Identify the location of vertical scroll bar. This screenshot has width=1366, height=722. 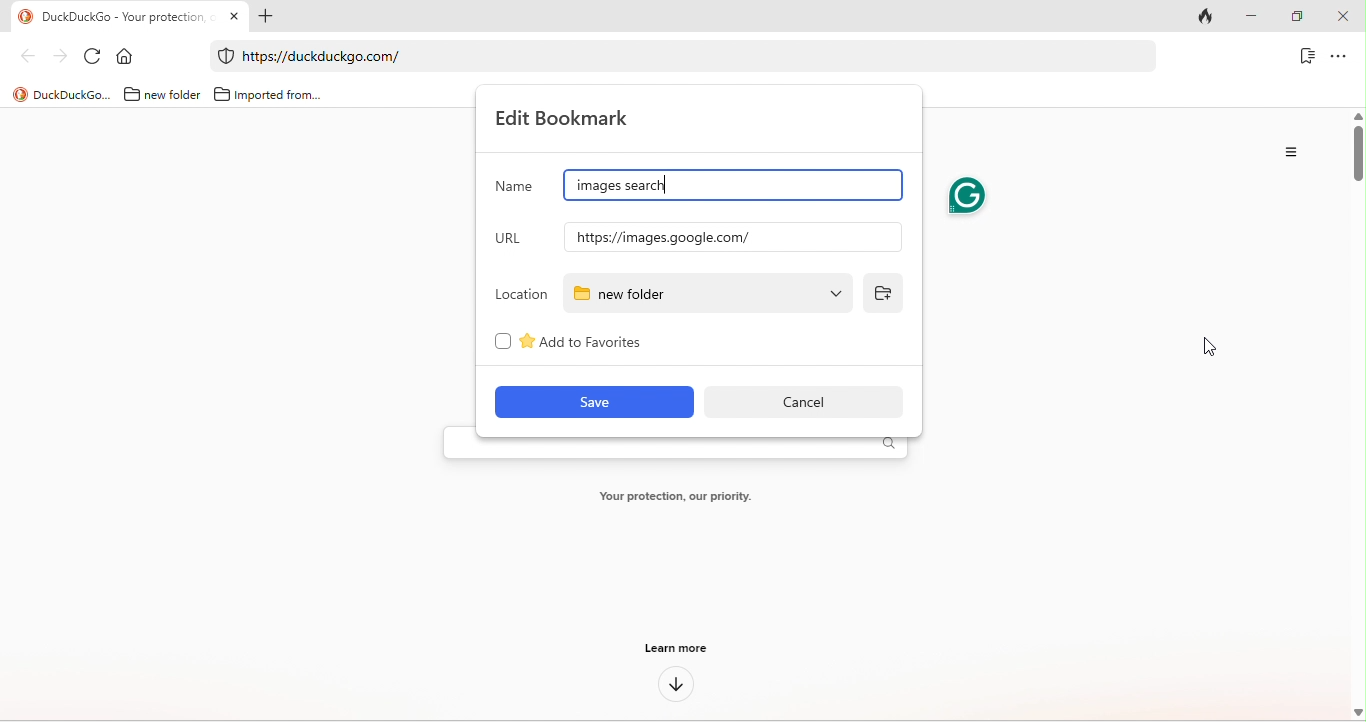
(1357, 152).